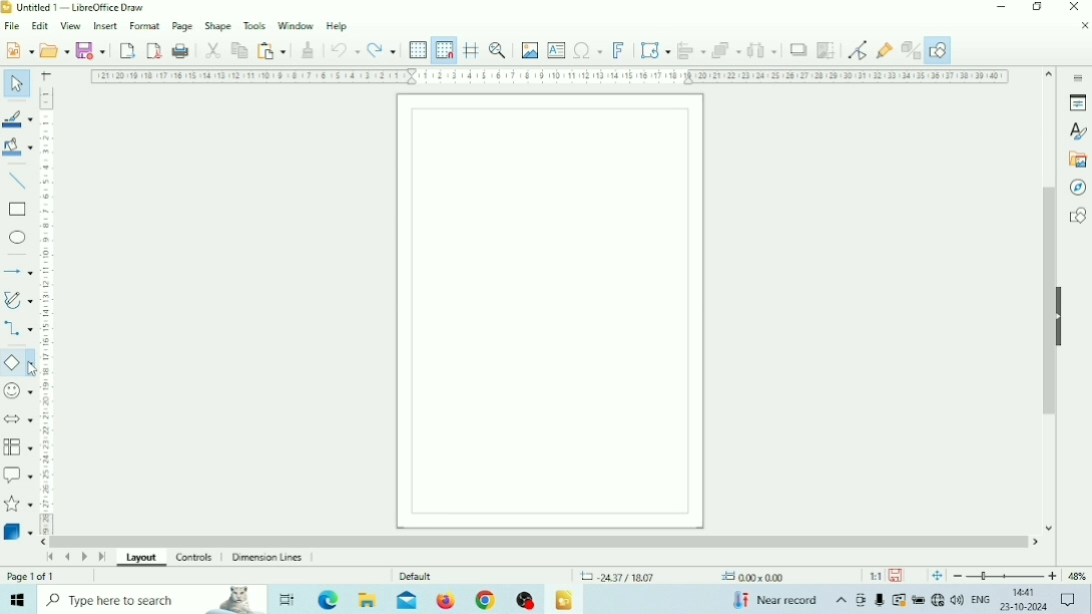 The height and width of the screenshot is (614, 1092). What do you see at coordinates (255, 25) in the screenshot?
I see `Tools` at bounding box center [255, 25].